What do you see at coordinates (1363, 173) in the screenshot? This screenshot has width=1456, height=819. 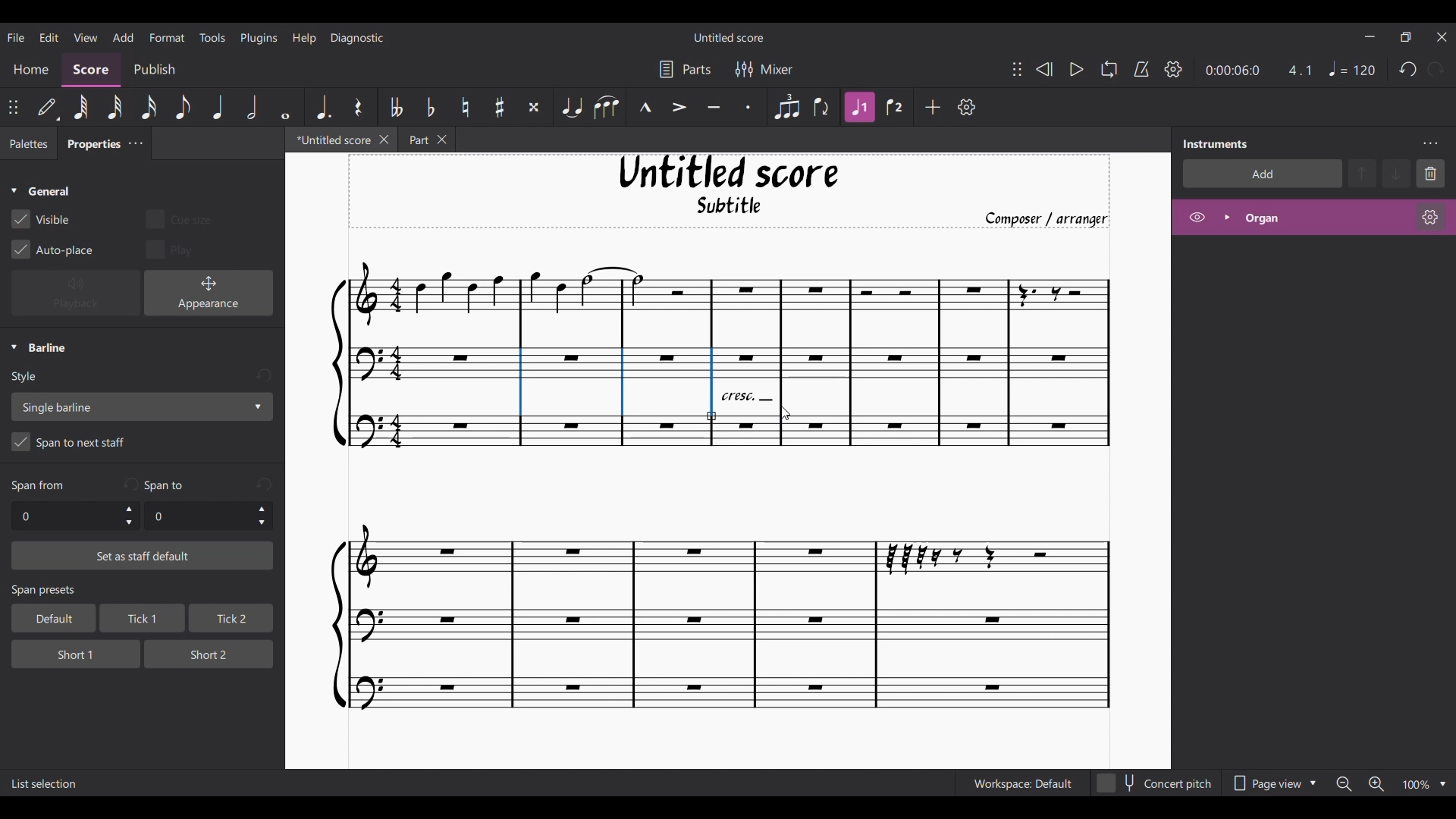 I see `Move selection up` at bounding box center [1363, 173].